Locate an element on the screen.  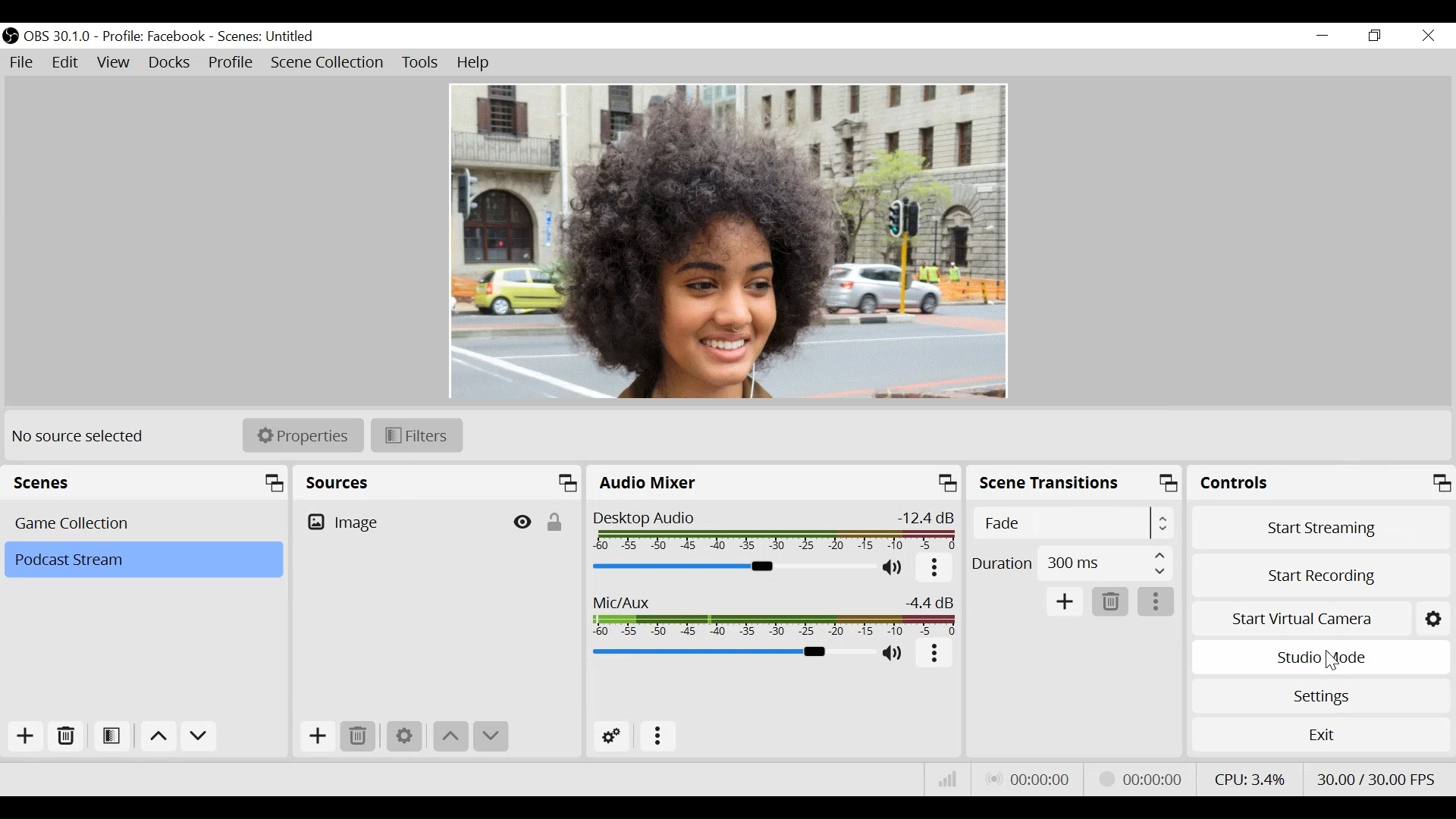
Live Status is located at coordinates (1025, 779).